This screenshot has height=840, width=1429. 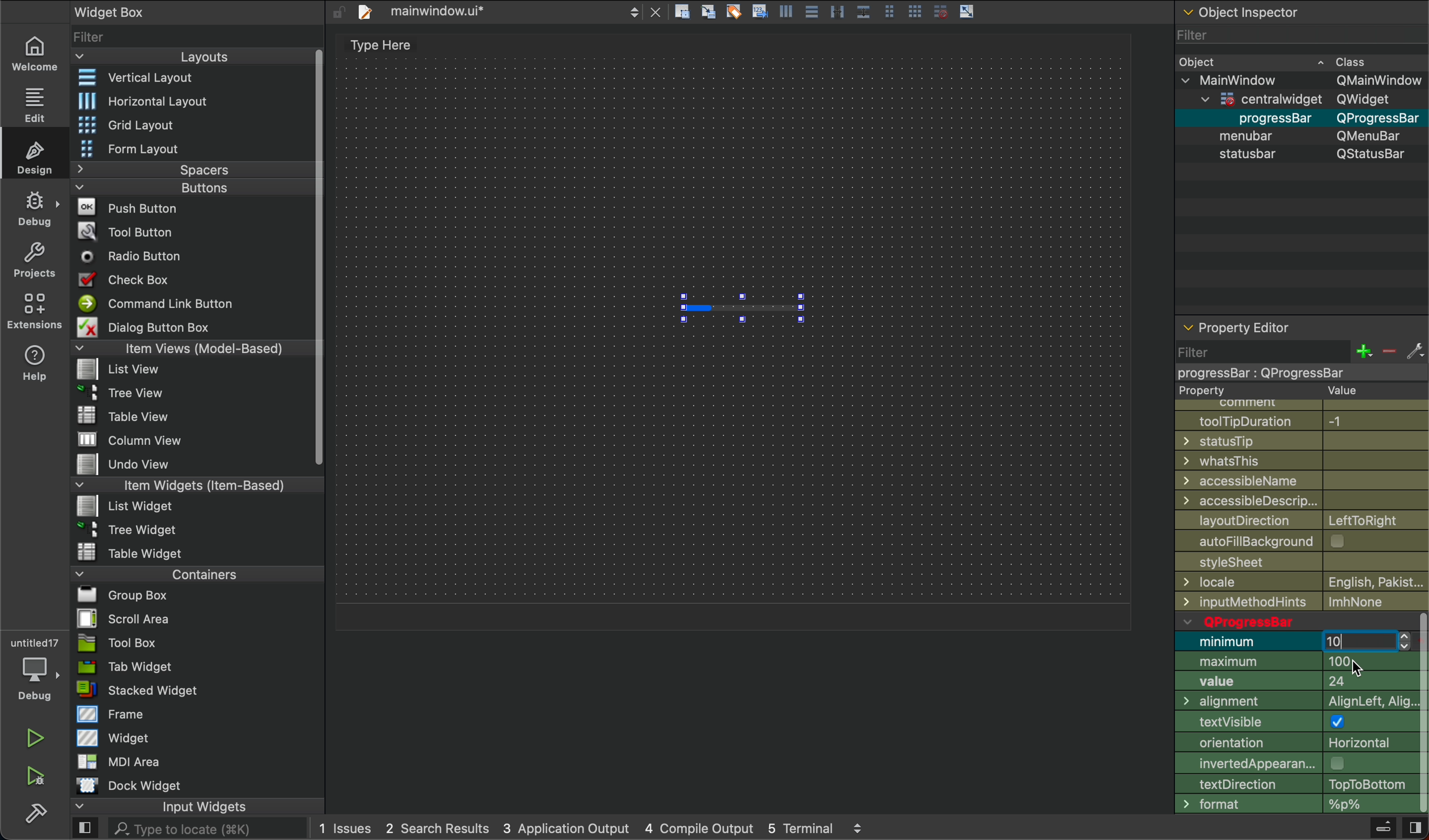 I want to click on minimum, so click(x=1245, y=643).